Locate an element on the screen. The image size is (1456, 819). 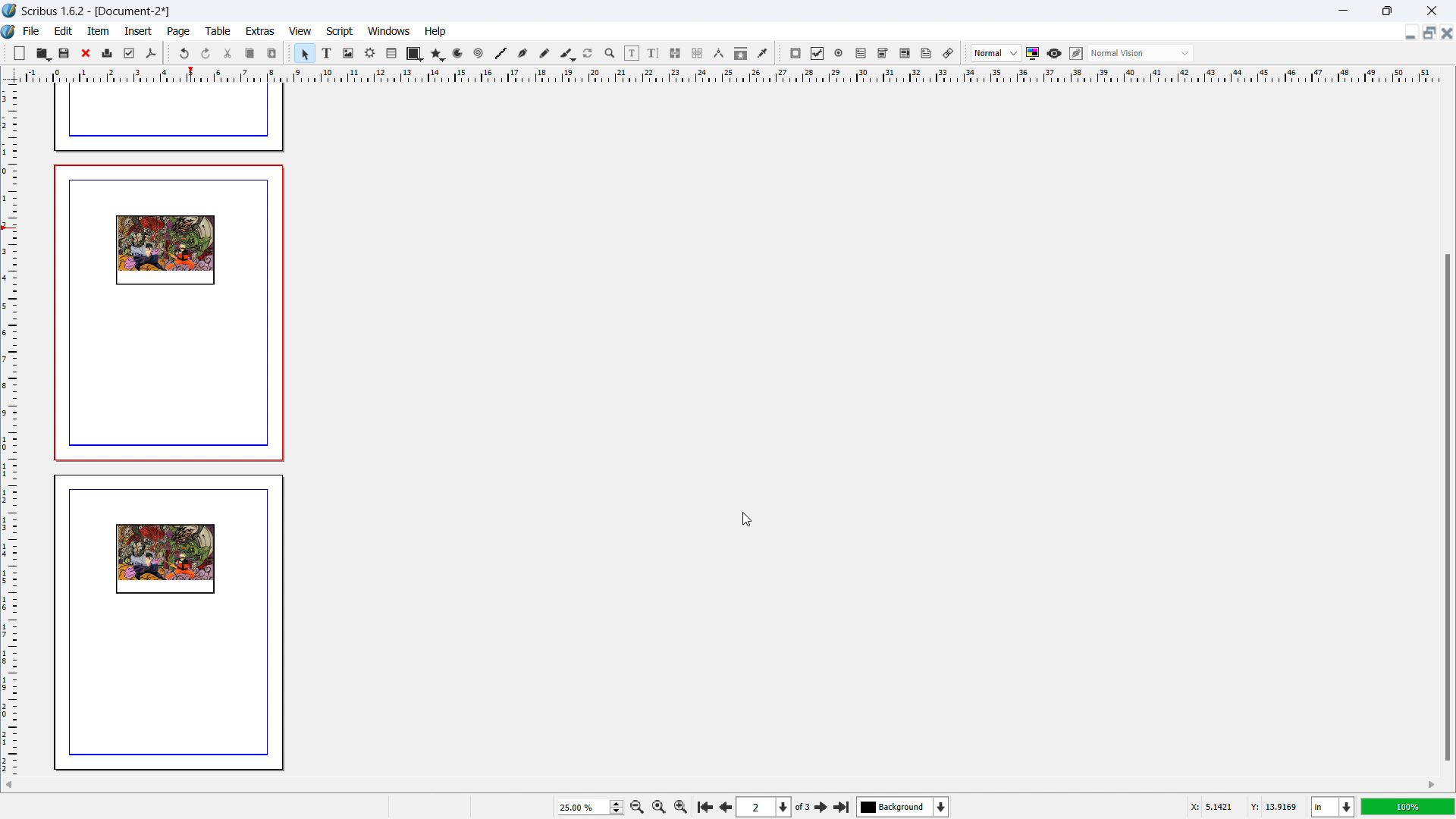
measurement is located at coordinates (718, 54).